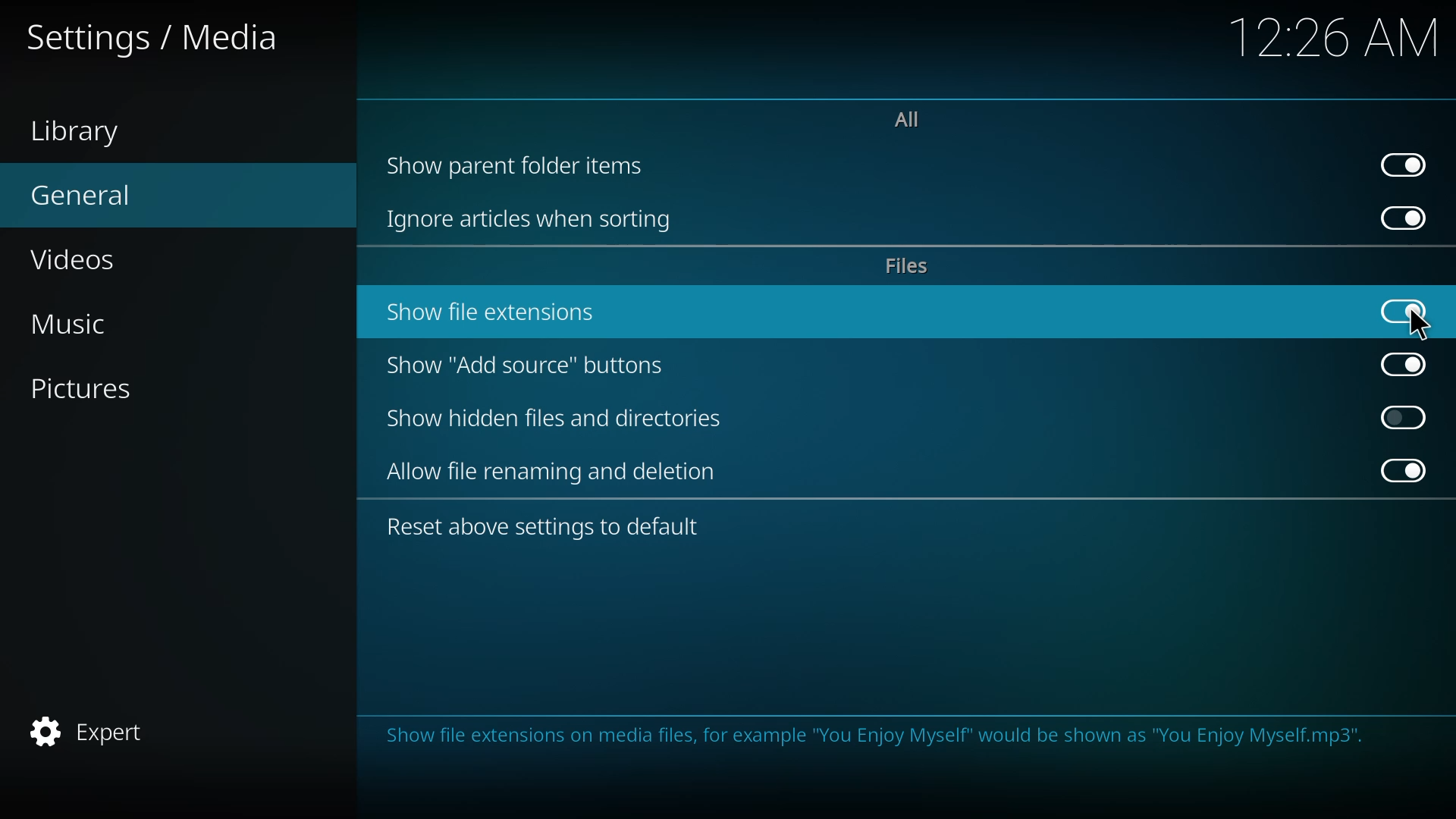 This screenshot has width=1456, height=819. What do you see at coordinates (85, 193) in the screenshot?
I see `general` at bounding box center [85, 193].